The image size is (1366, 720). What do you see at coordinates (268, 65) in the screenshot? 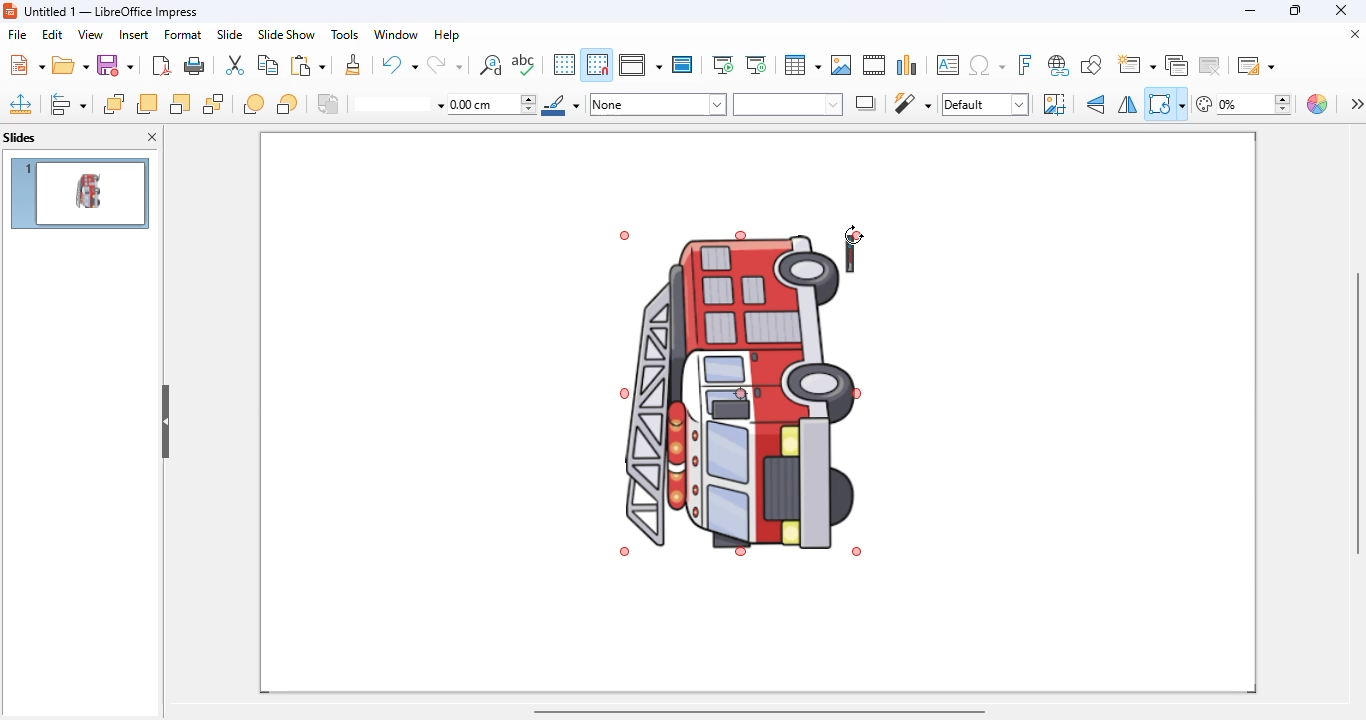
I see `copy` at bounding box center [268, 65].